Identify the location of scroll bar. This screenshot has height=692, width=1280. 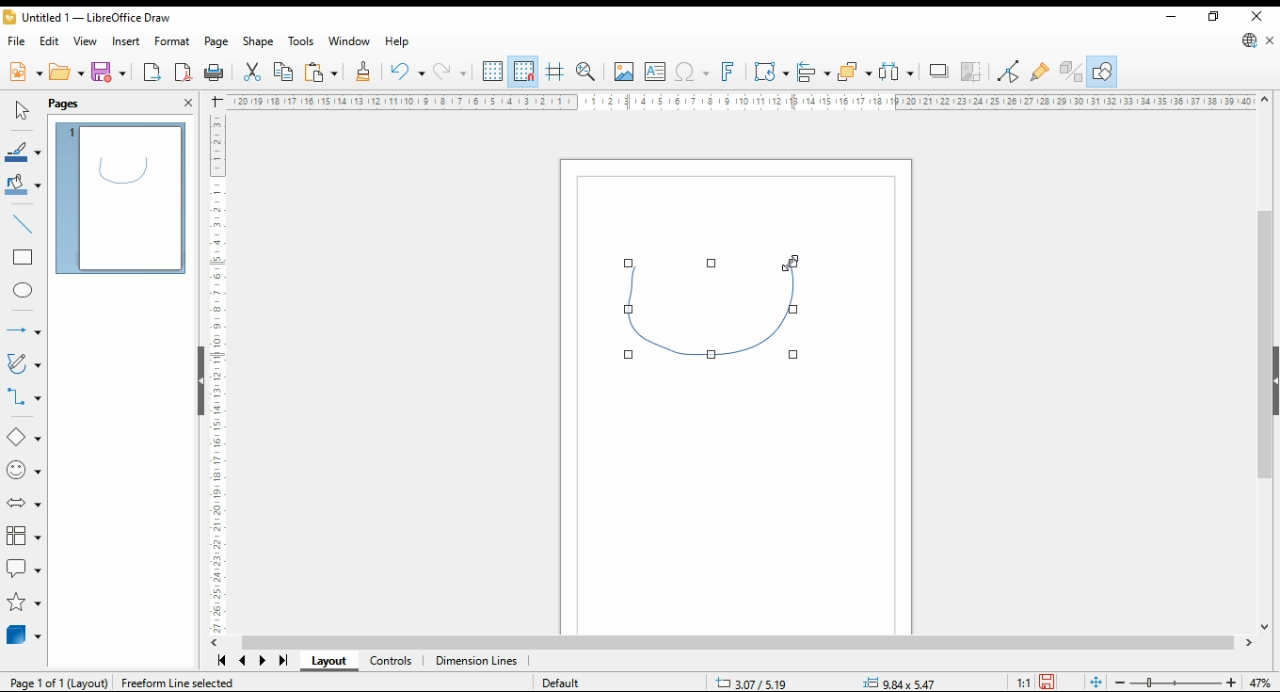
(743, 643).